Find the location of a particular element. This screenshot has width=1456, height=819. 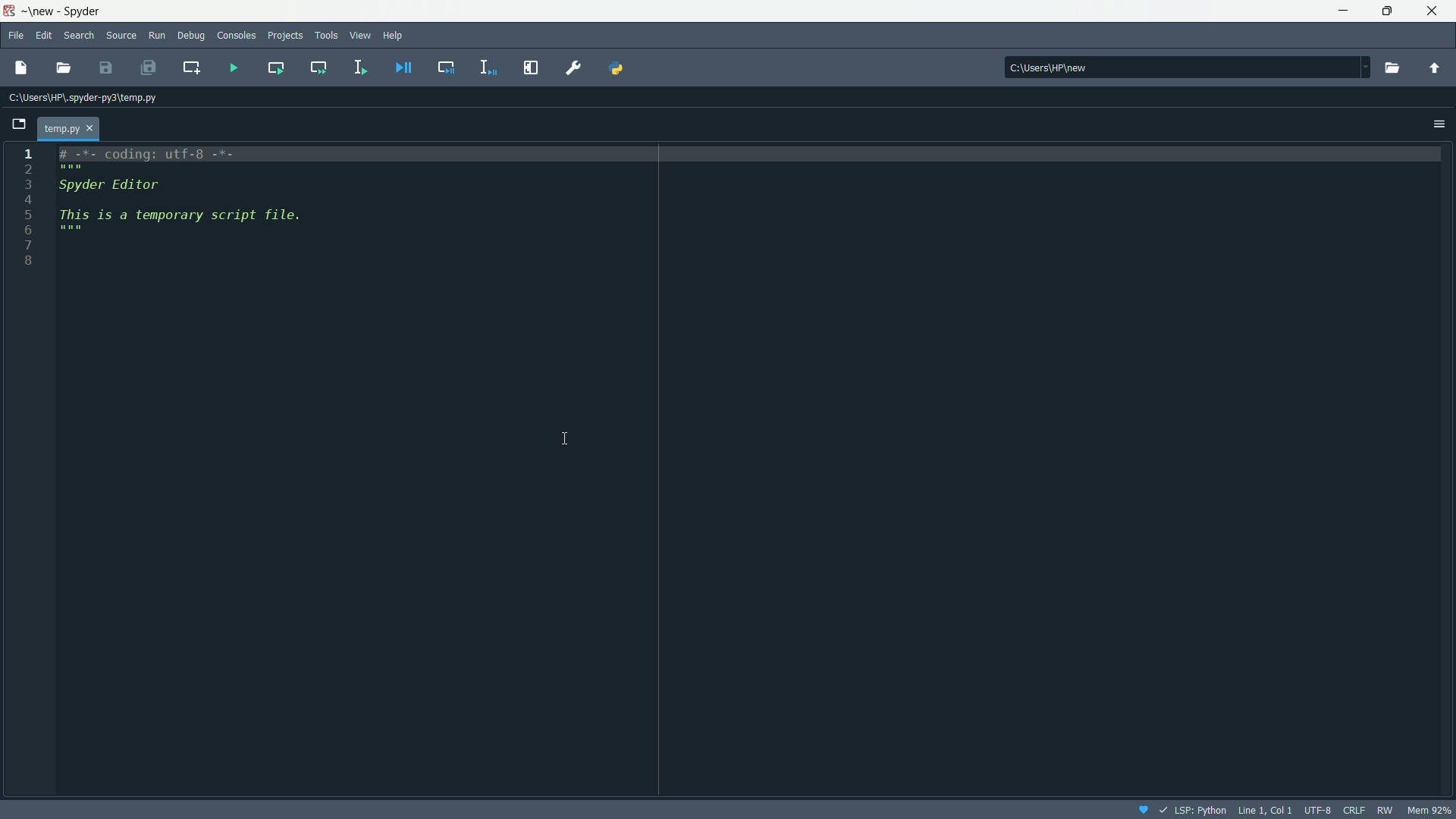

cursor position is located at coordinates (1263, 808).